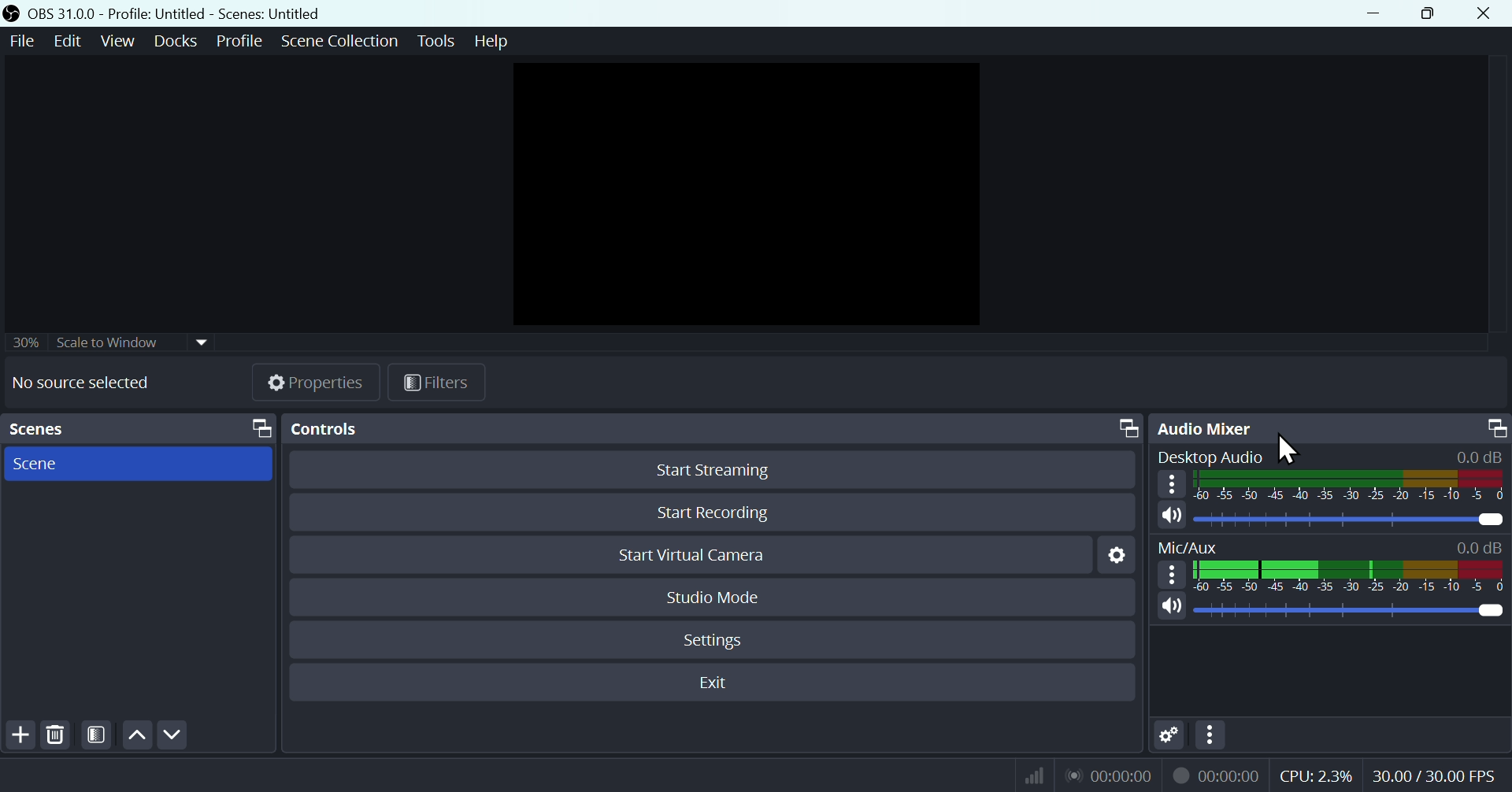  Describe the element at coordinates (710, 683) in the screenshot. I see `Exit` at that location.